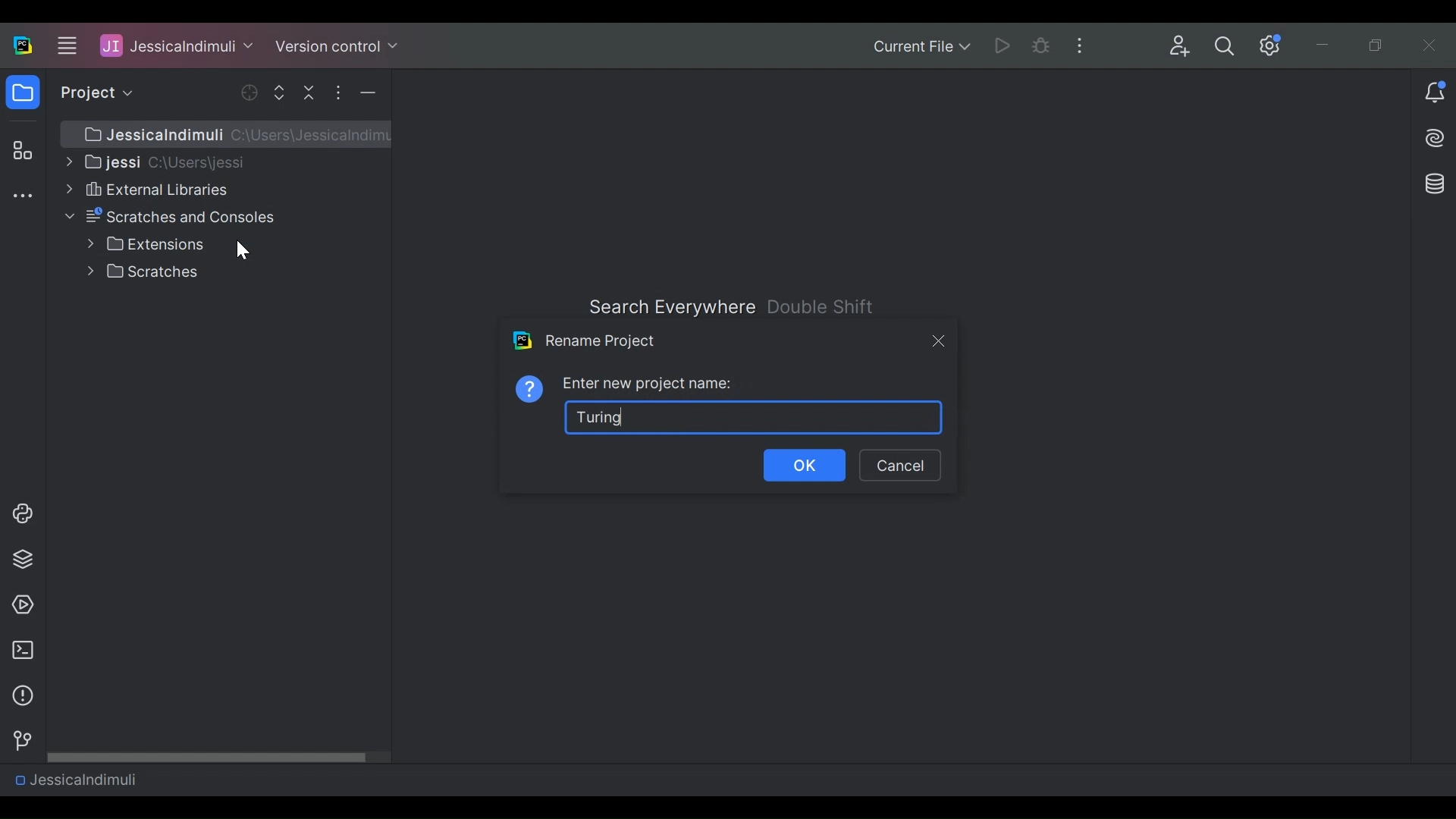 The image size is (1456, 819). What do you see at coordinates (64, 45) in the screenshot?
I see `Main  menu` at bounding box center [64, 45].